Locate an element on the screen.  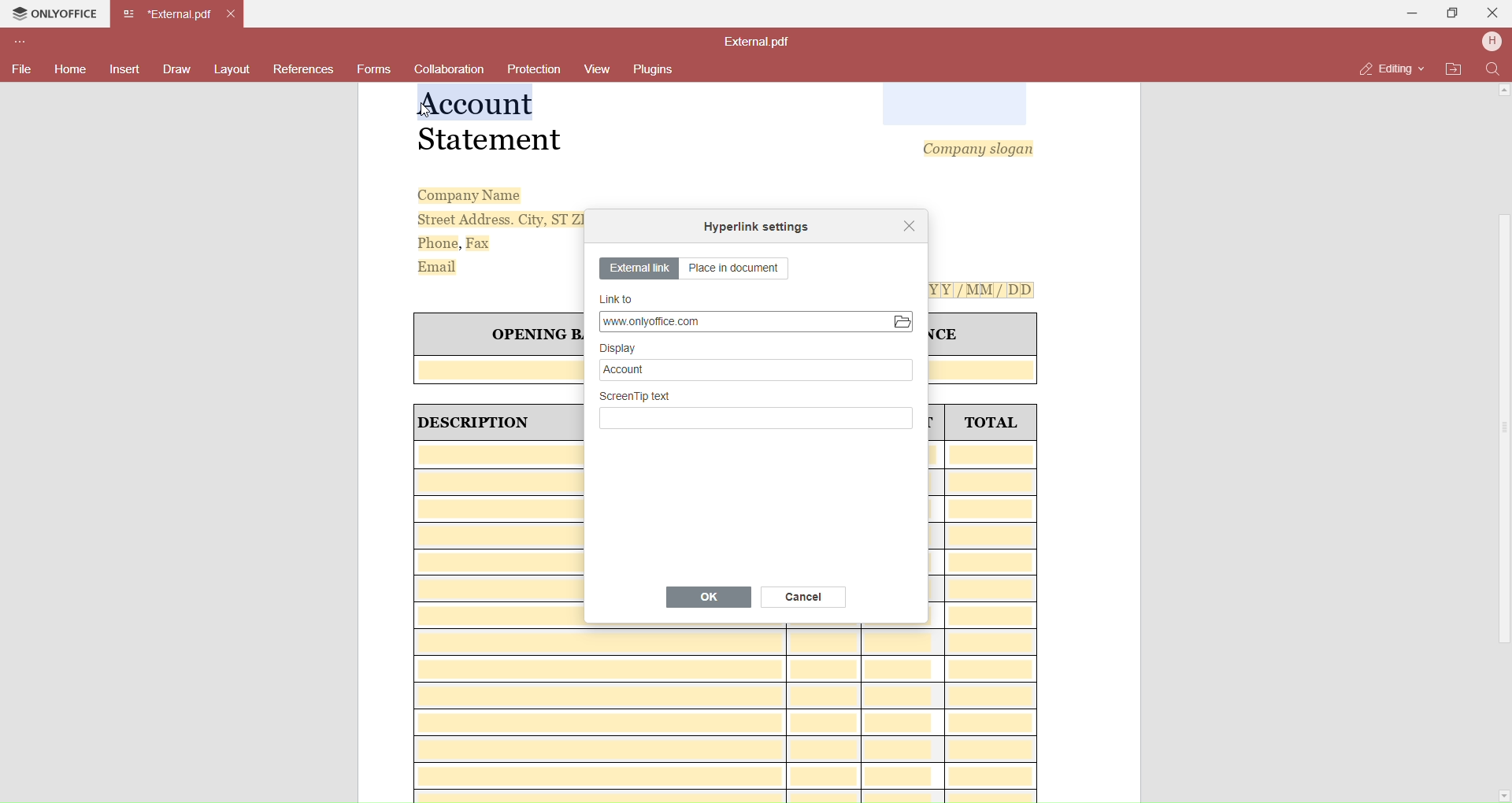
Open File Location is located at coordinates (1455, 70).